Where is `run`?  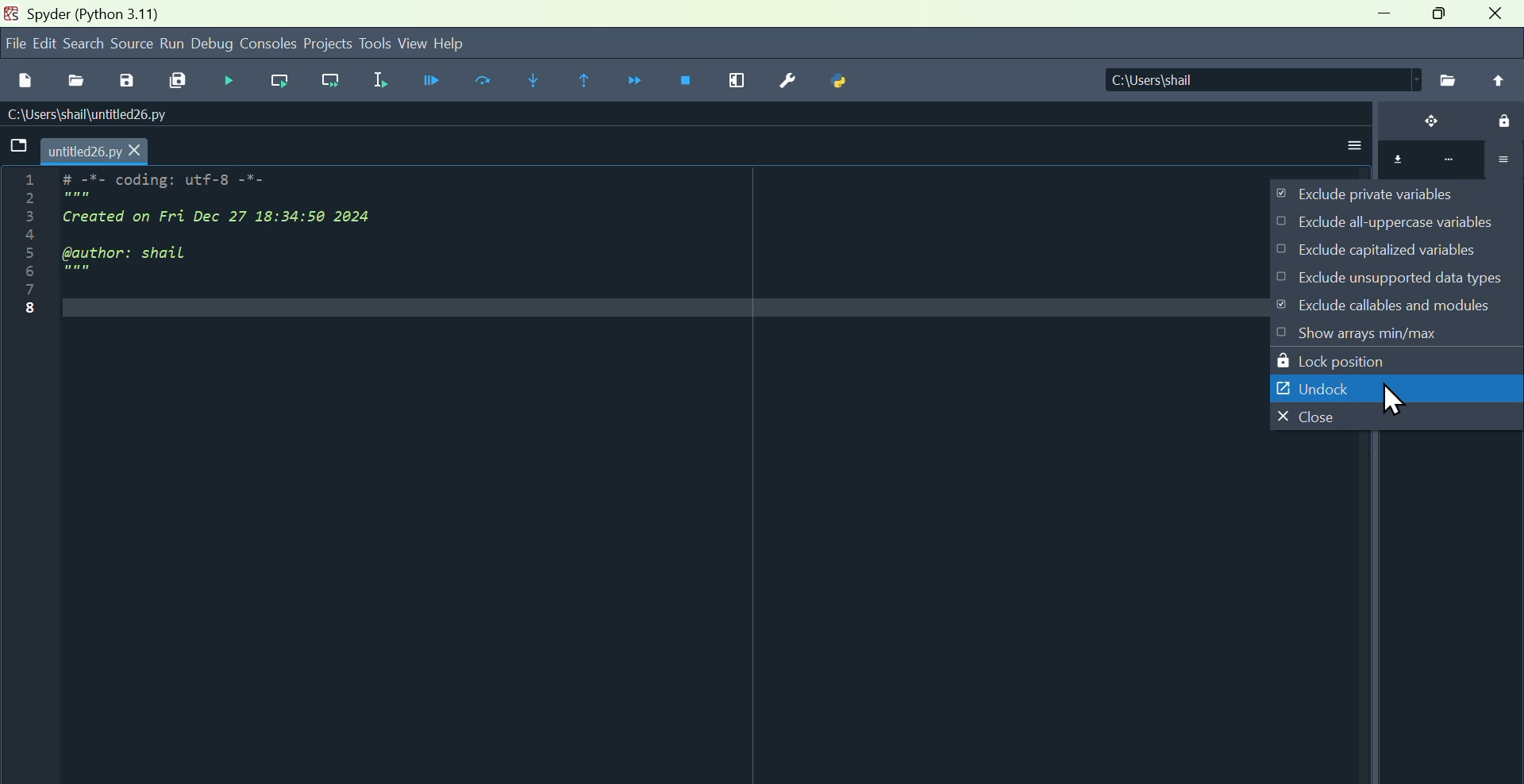 run is located at coordinates (172, 44).